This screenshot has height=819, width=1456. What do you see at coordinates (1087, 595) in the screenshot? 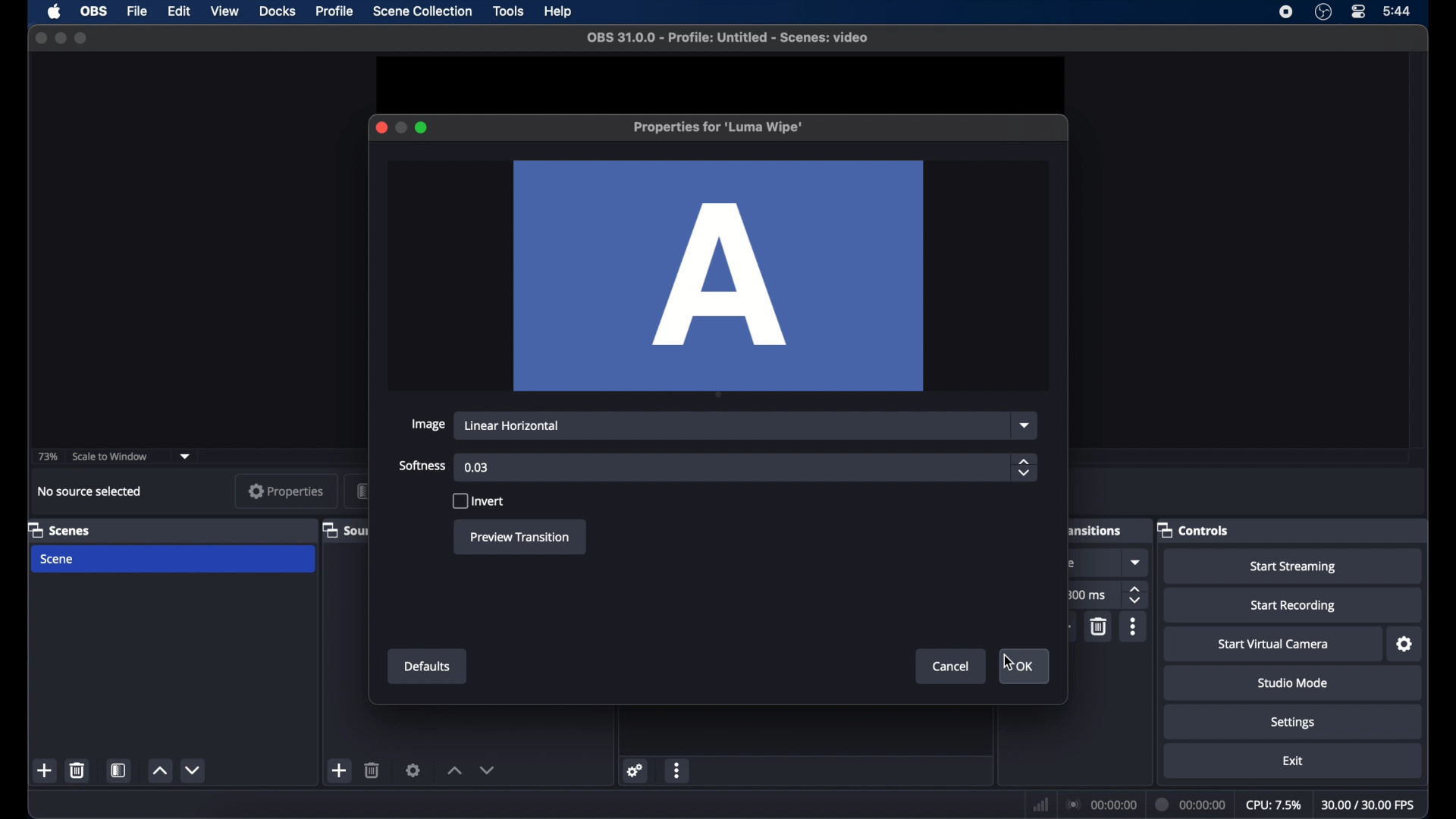
I see `300 ms` at bounding box center [1087, 595].